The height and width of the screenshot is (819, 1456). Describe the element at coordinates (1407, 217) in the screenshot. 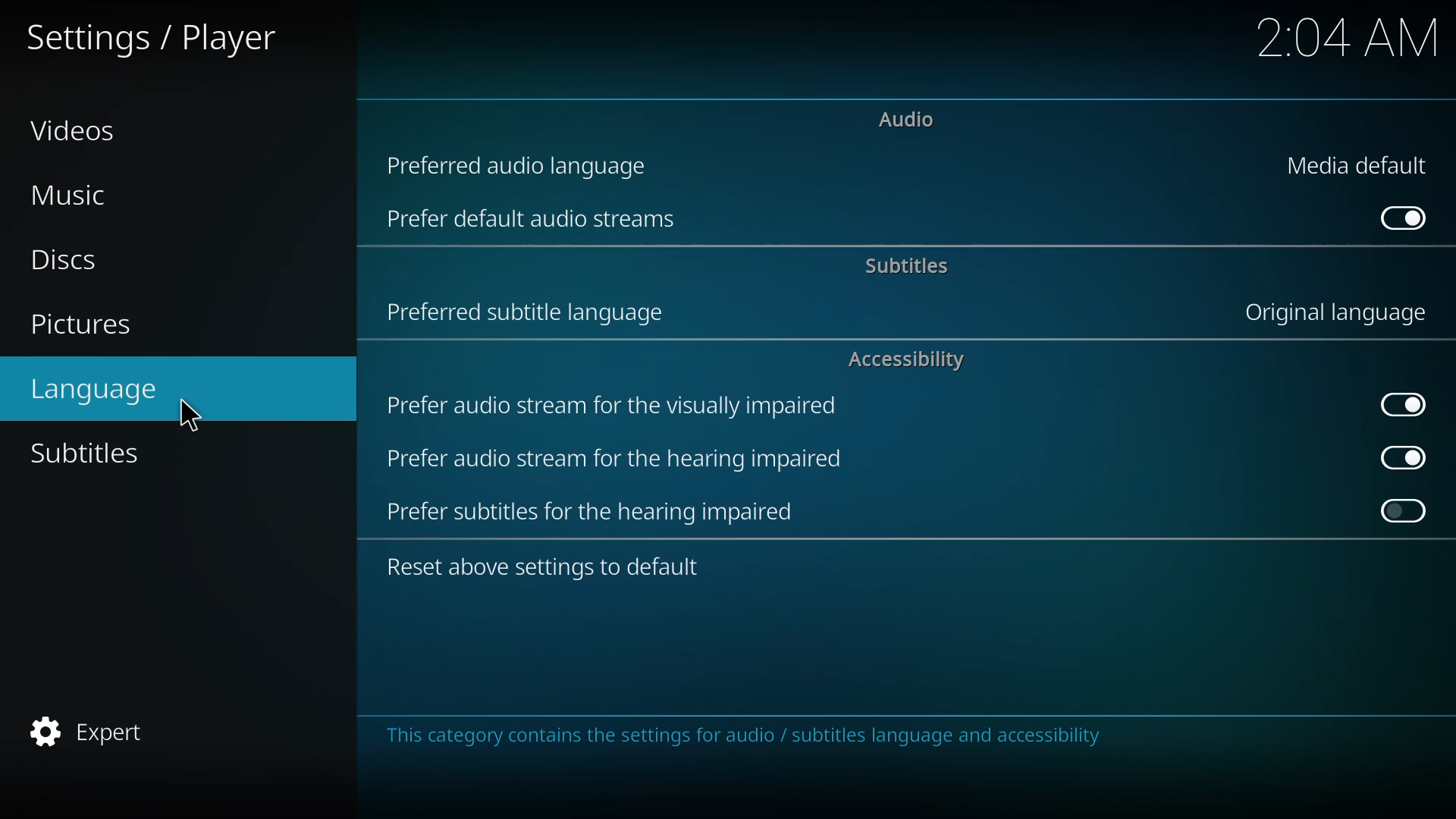

I see `enabled` at that location.